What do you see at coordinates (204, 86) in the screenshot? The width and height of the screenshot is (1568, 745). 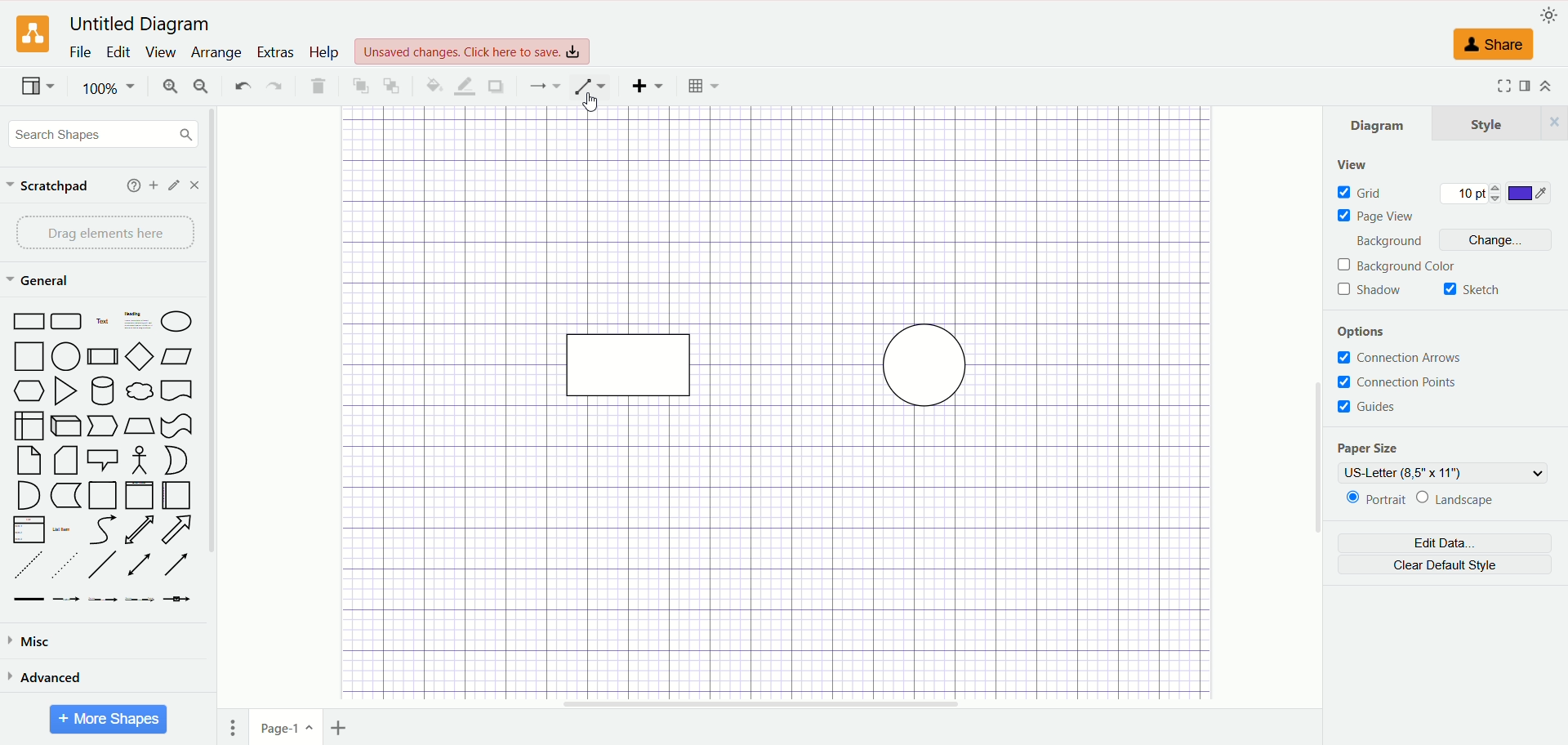 I see `zoom out` at bounding box center [204, 86].